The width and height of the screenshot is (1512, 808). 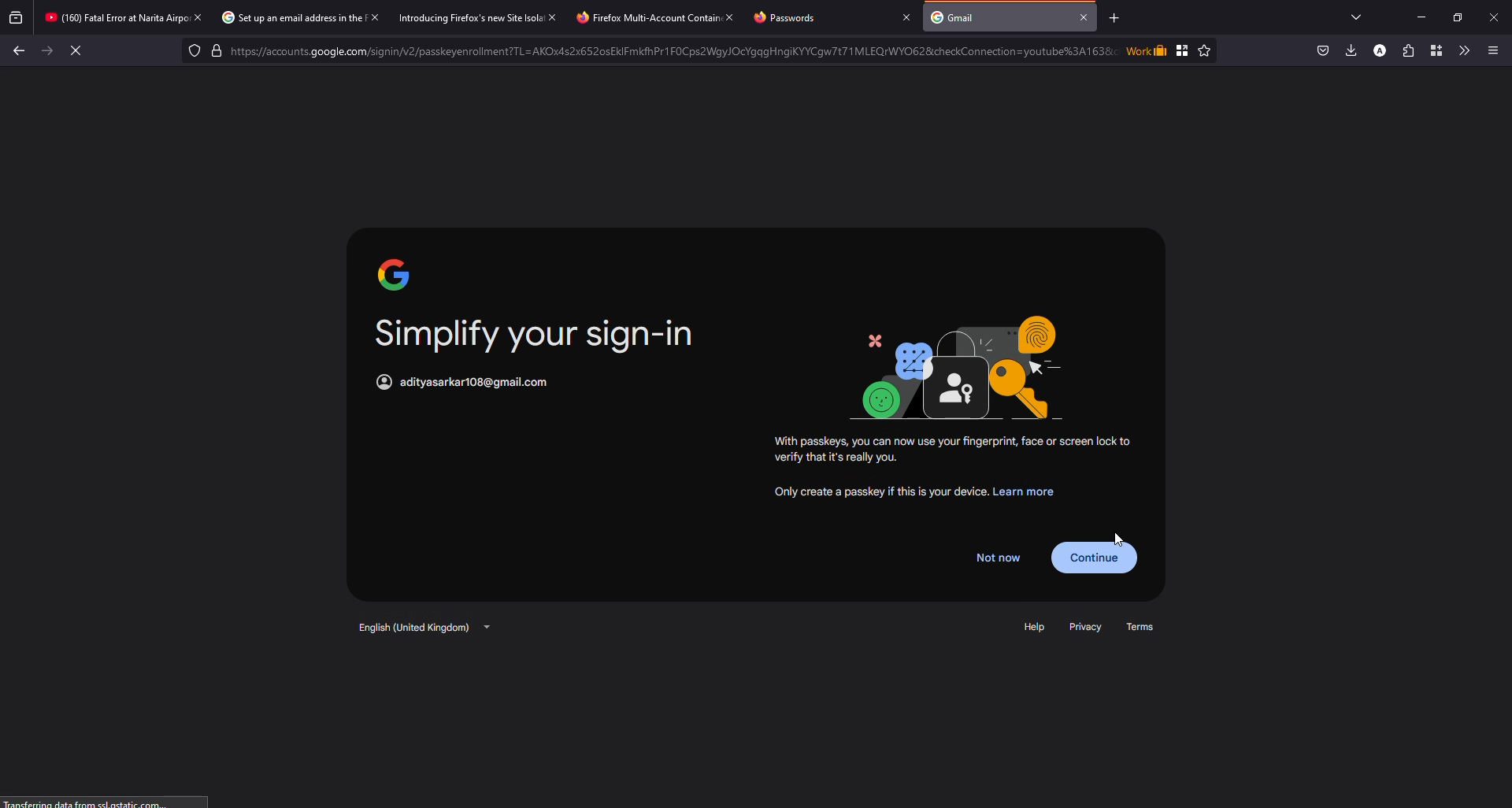 What do you see at coordinates (376, 17) in the screenshot?
I see `close` at bounding box center [376, 17].